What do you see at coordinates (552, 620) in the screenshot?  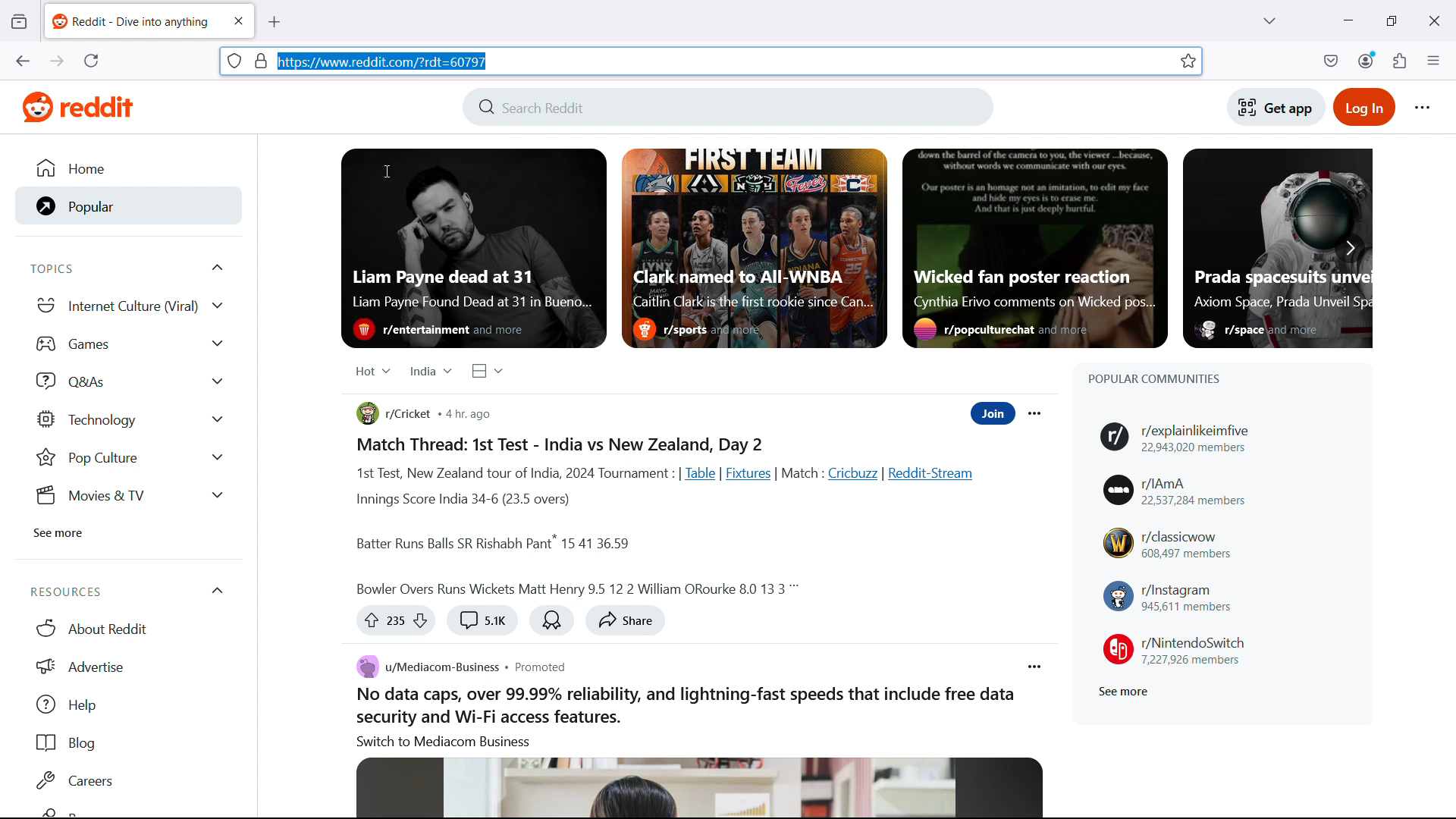 I see `Award` at bounding box center [552, 620].